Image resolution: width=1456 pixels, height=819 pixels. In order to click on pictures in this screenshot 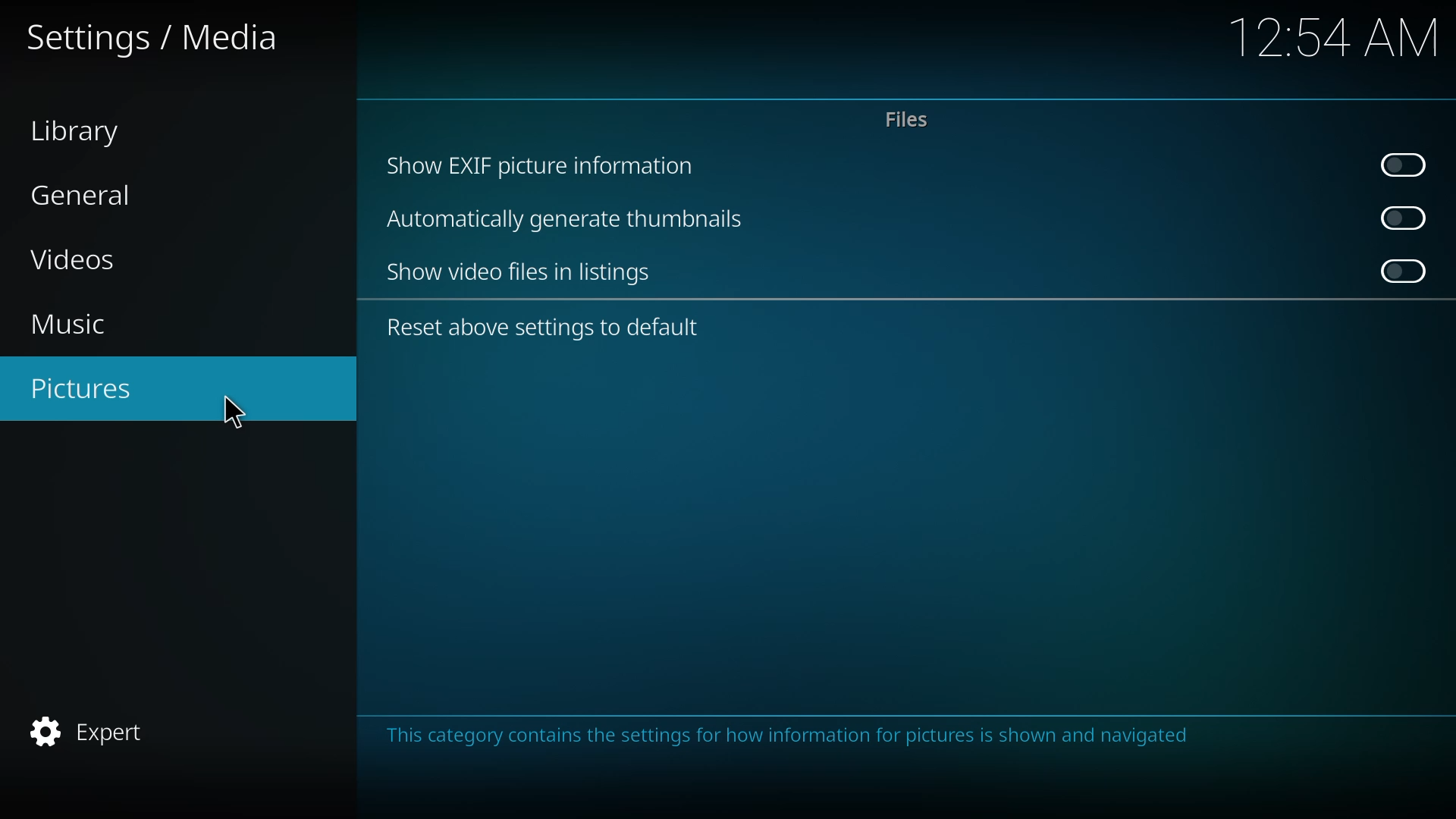, I will do `click(96, 388)`.